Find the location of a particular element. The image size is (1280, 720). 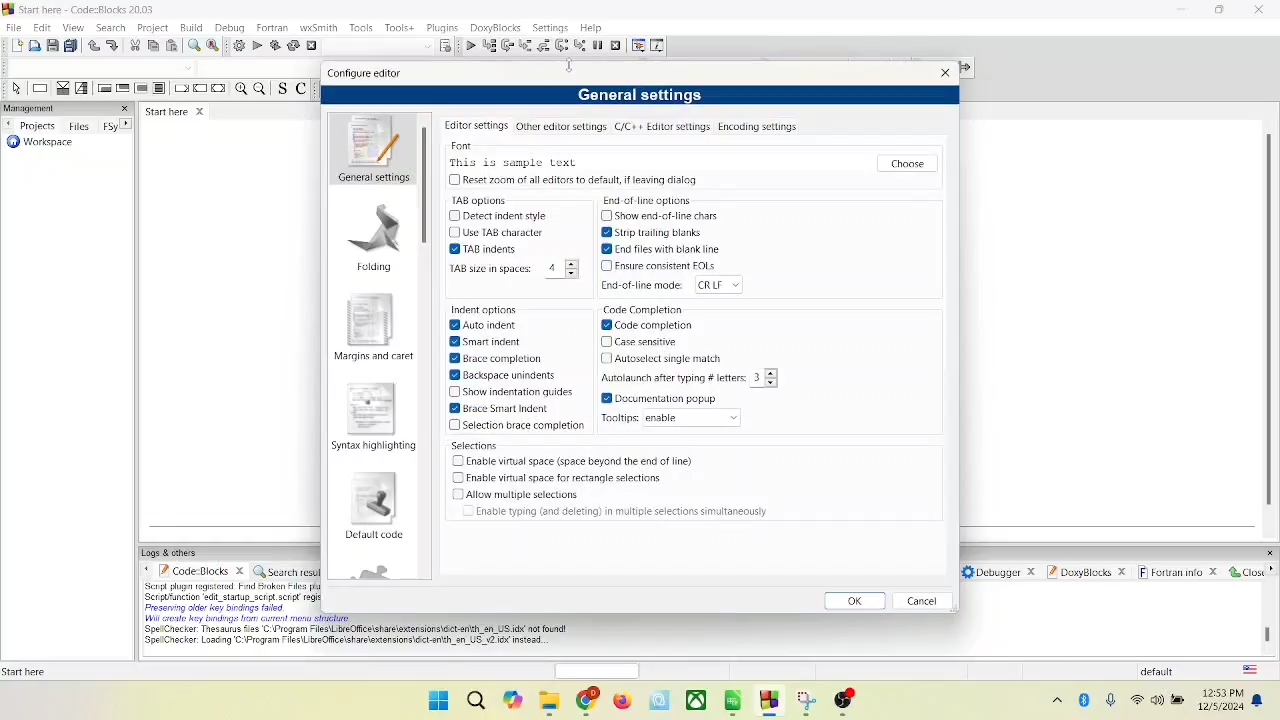

scroll bar is located at coordinates (1266, 616).